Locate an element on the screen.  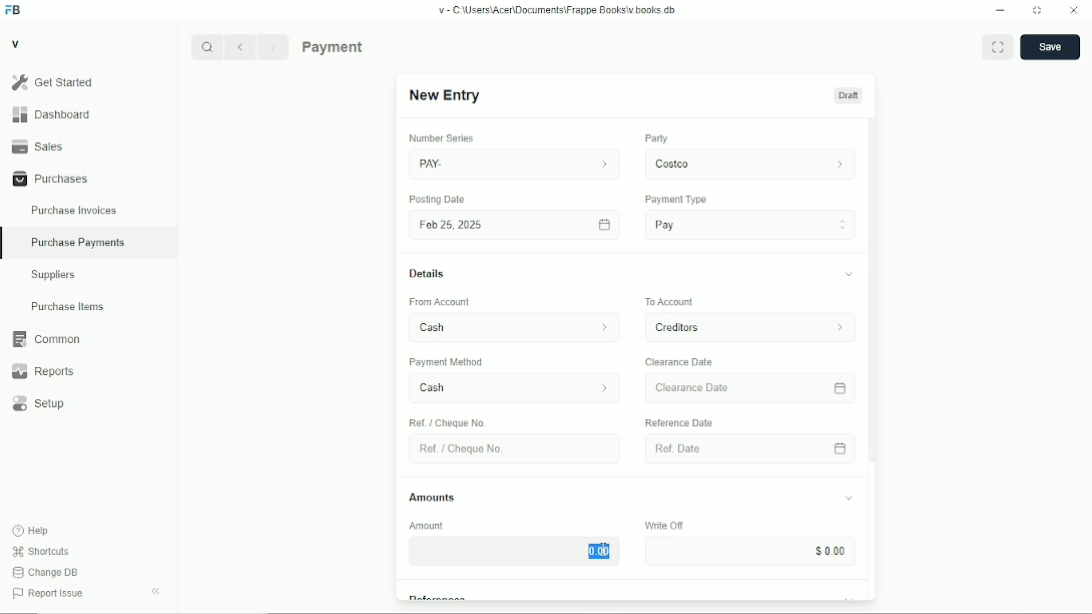
Previous is located at coordinates (240, 47).